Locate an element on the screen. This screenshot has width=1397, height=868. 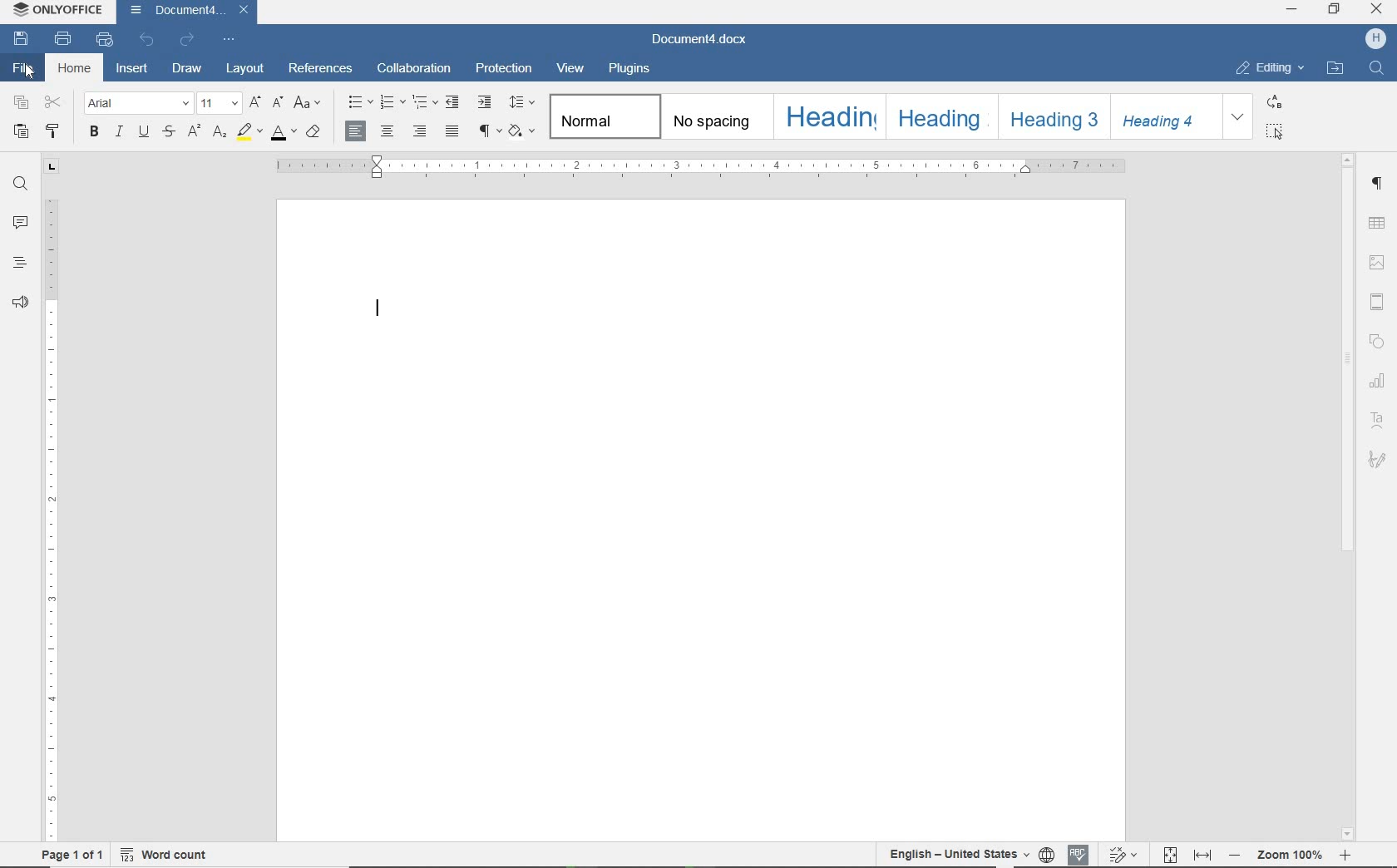
customize quick access toolbar is located at coordinates (229, 40).